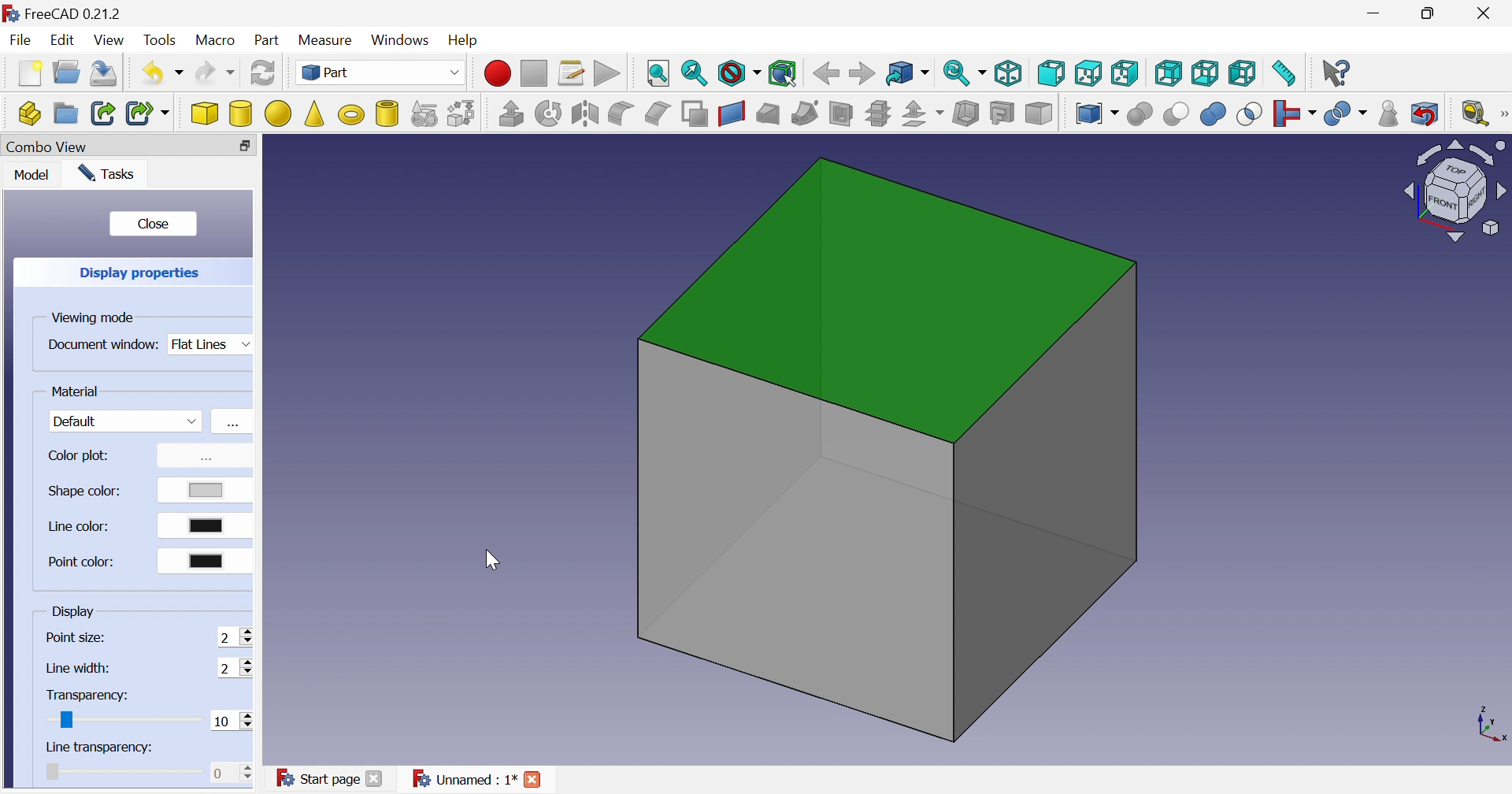  Describe the element at coordinates (329, 42) in the screenshot. I see `Measure` at that location.